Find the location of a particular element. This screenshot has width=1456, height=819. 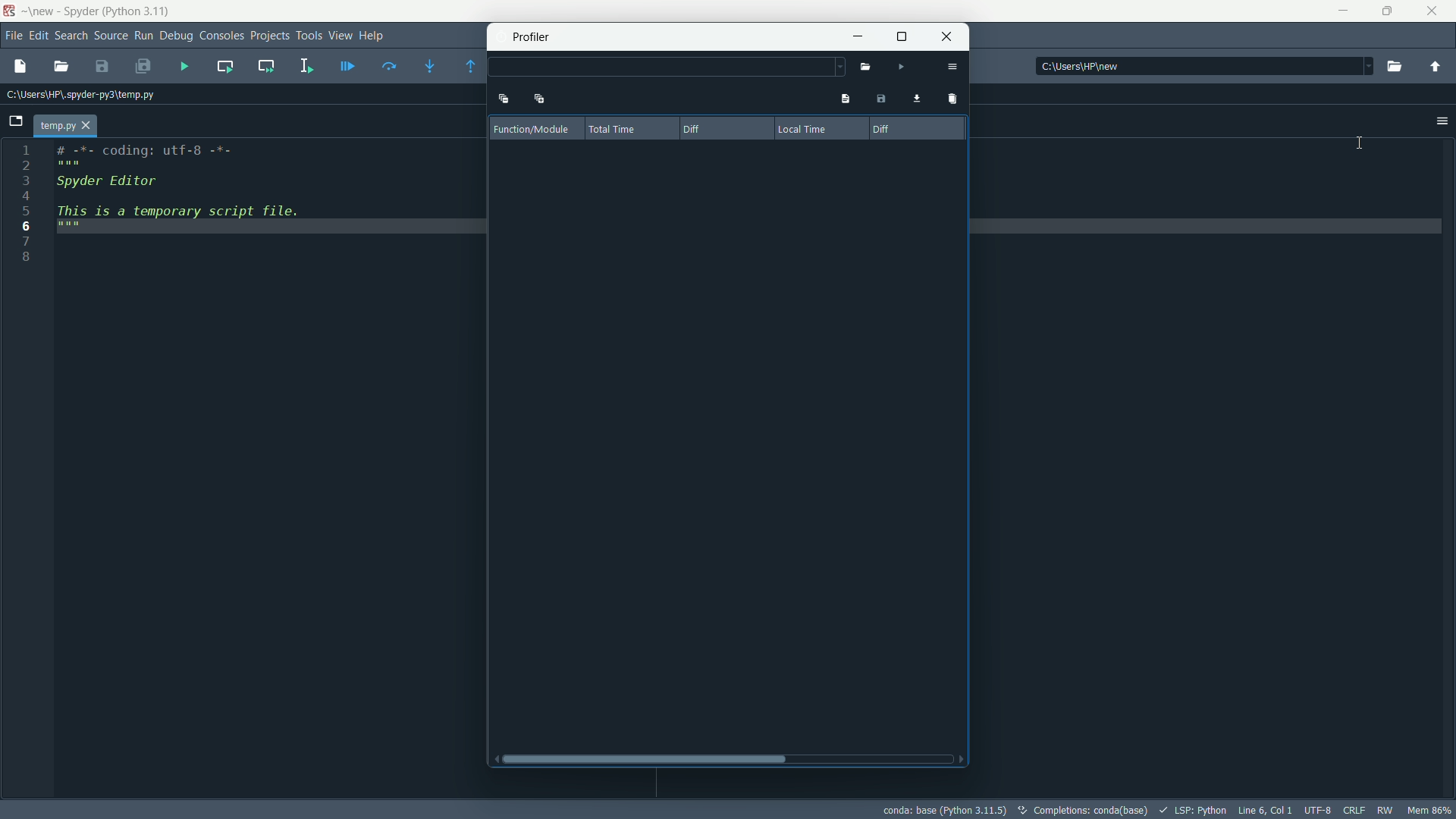

directory: c:\users\hp\new is located at coordinates (1078, 66).